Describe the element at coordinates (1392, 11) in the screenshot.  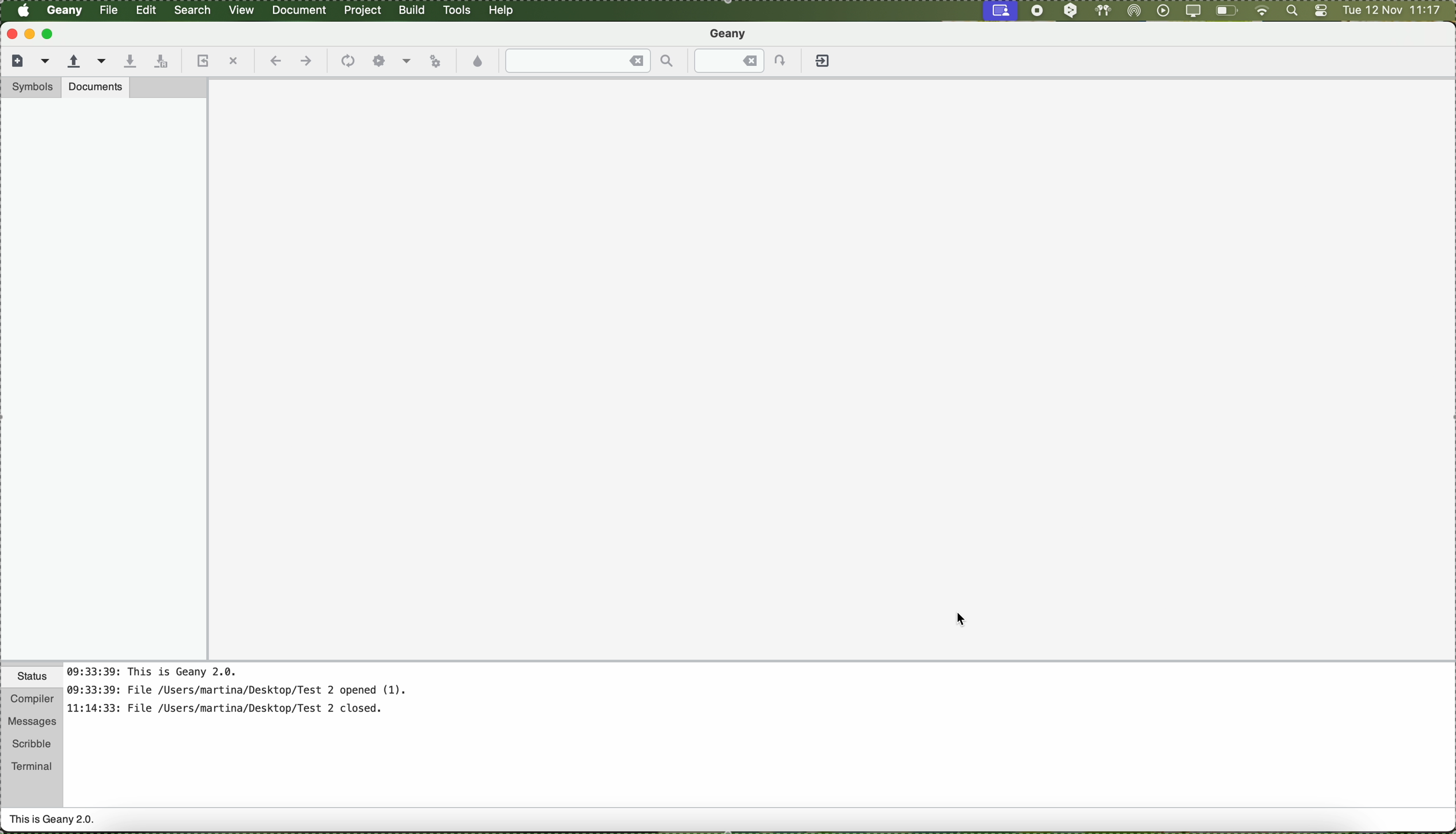
I see `date and hour` at that location.